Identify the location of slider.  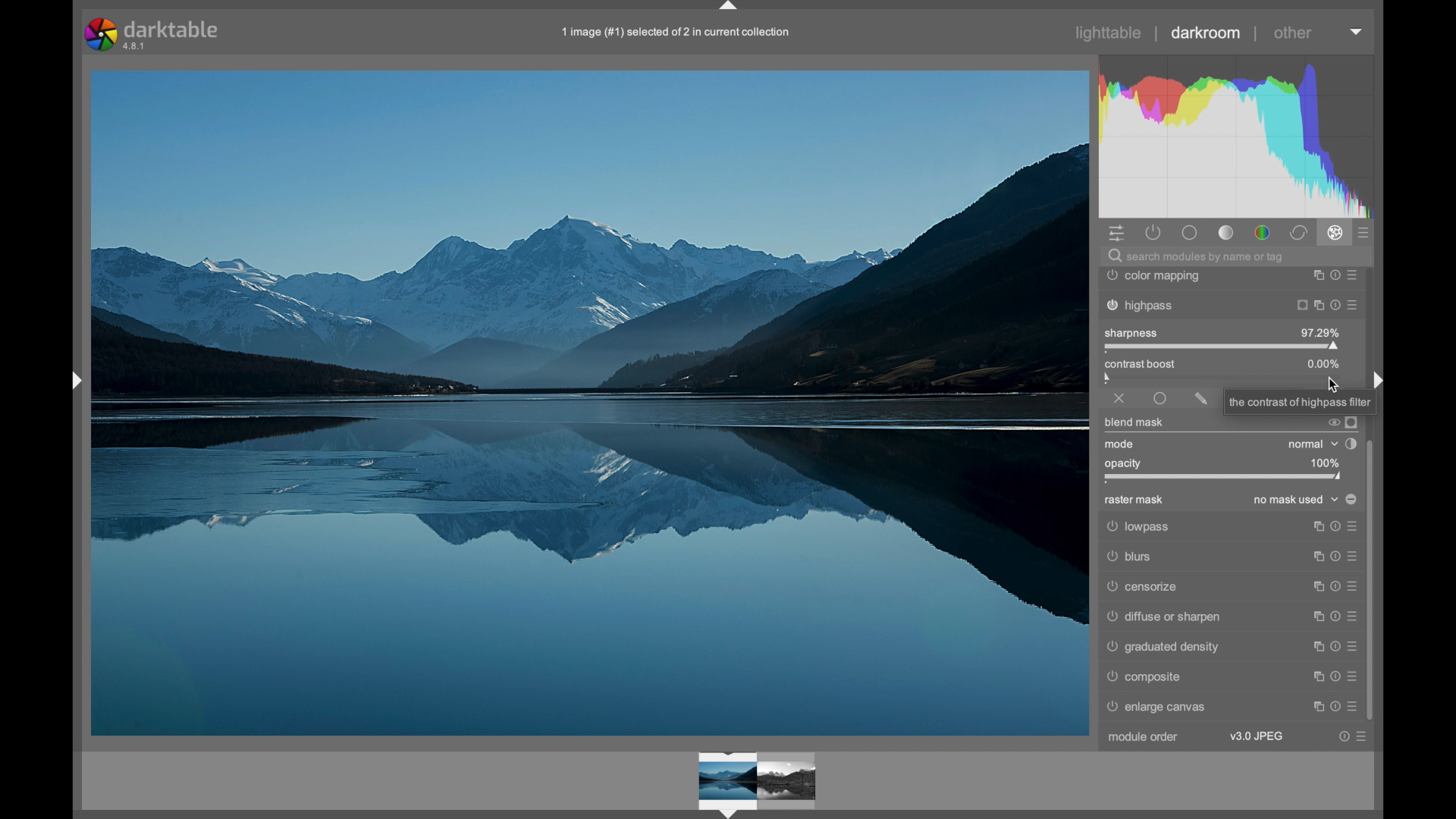
(1223, 347).